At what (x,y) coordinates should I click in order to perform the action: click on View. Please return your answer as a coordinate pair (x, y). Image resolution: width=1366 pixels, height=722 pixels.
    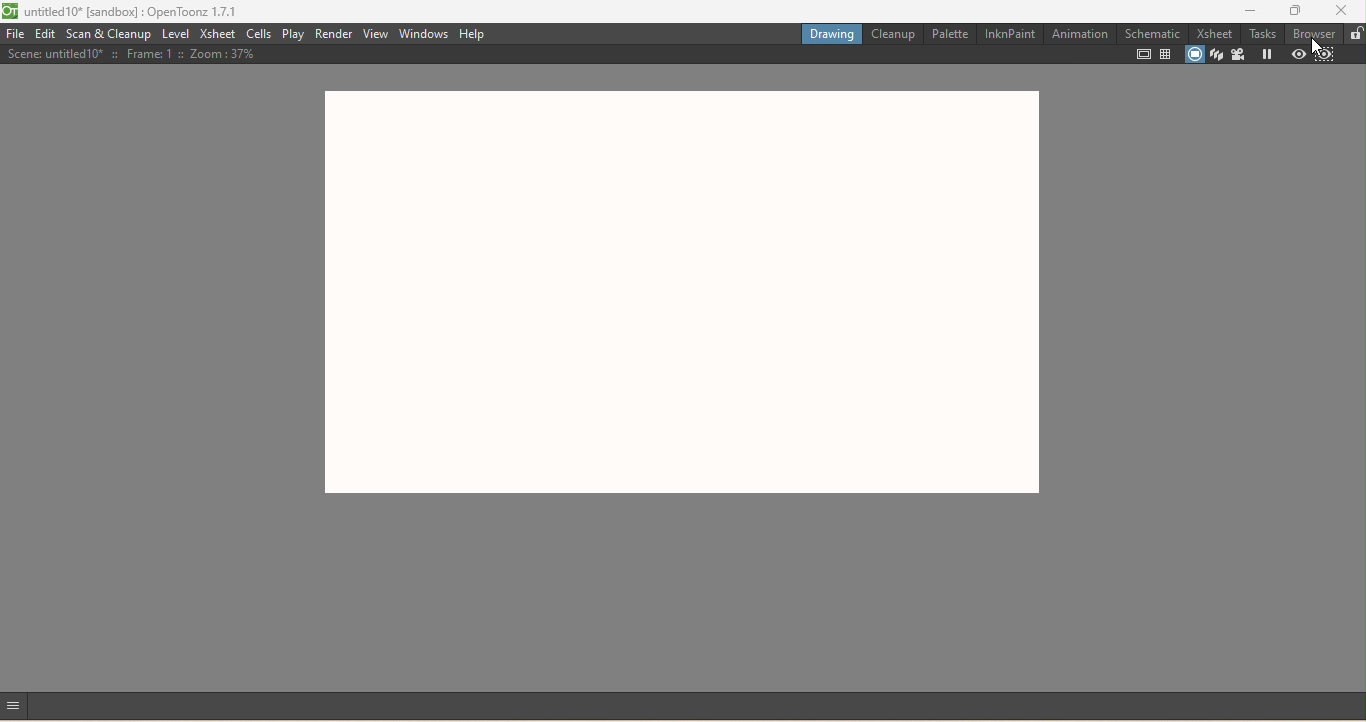
    Looking at the image, I should click on (378, 34).